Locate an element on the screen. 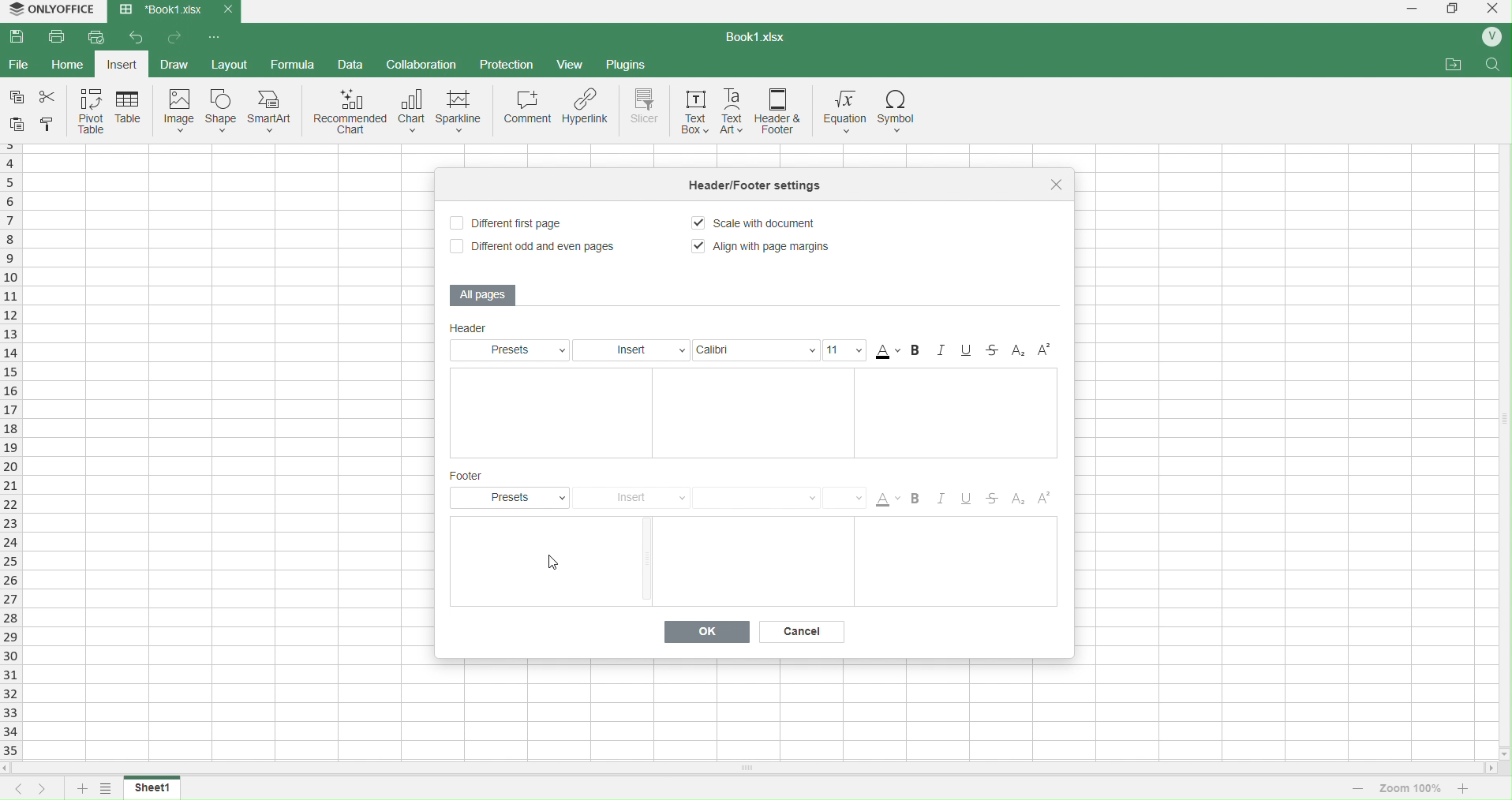 The image size is (1512, 800). Calibri is located at coordinates (757, 350).